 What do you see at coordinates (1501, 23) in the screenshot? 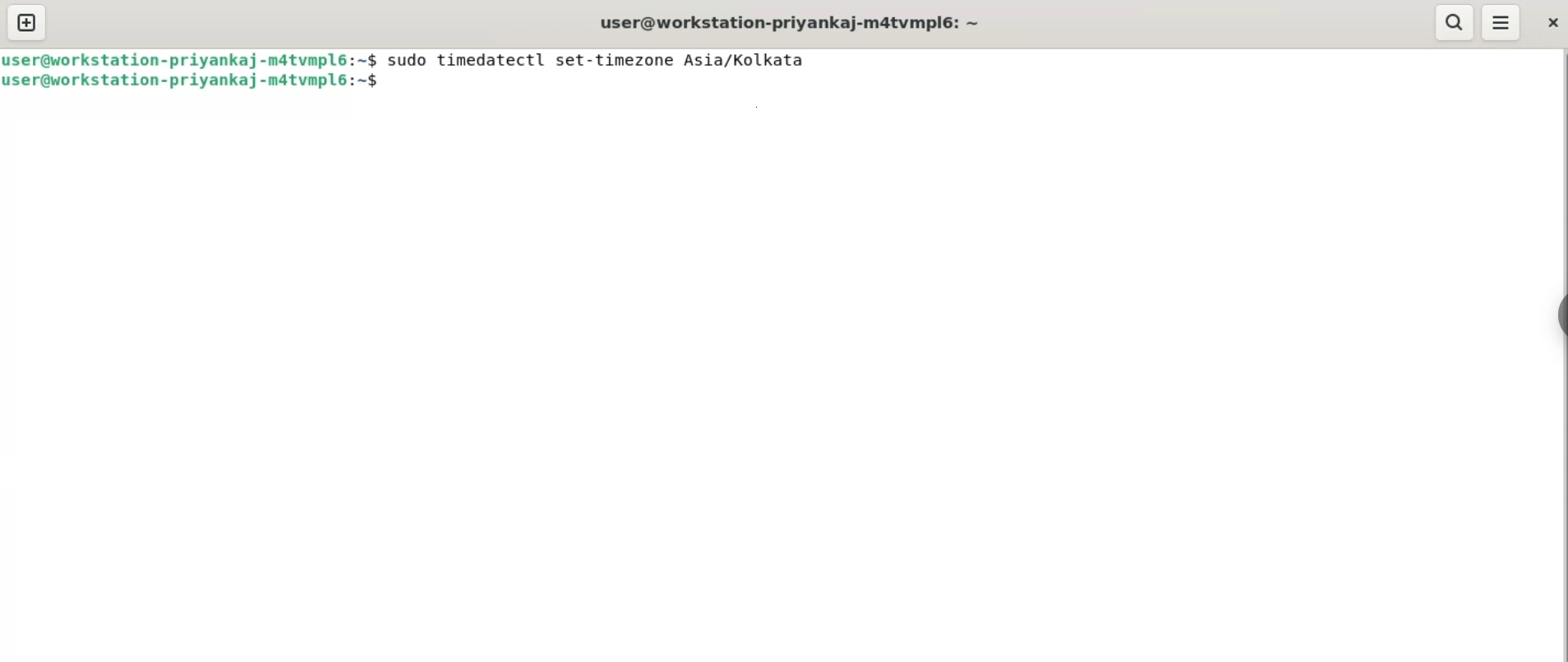
I see `menu` at bounding box center [1501, 23].